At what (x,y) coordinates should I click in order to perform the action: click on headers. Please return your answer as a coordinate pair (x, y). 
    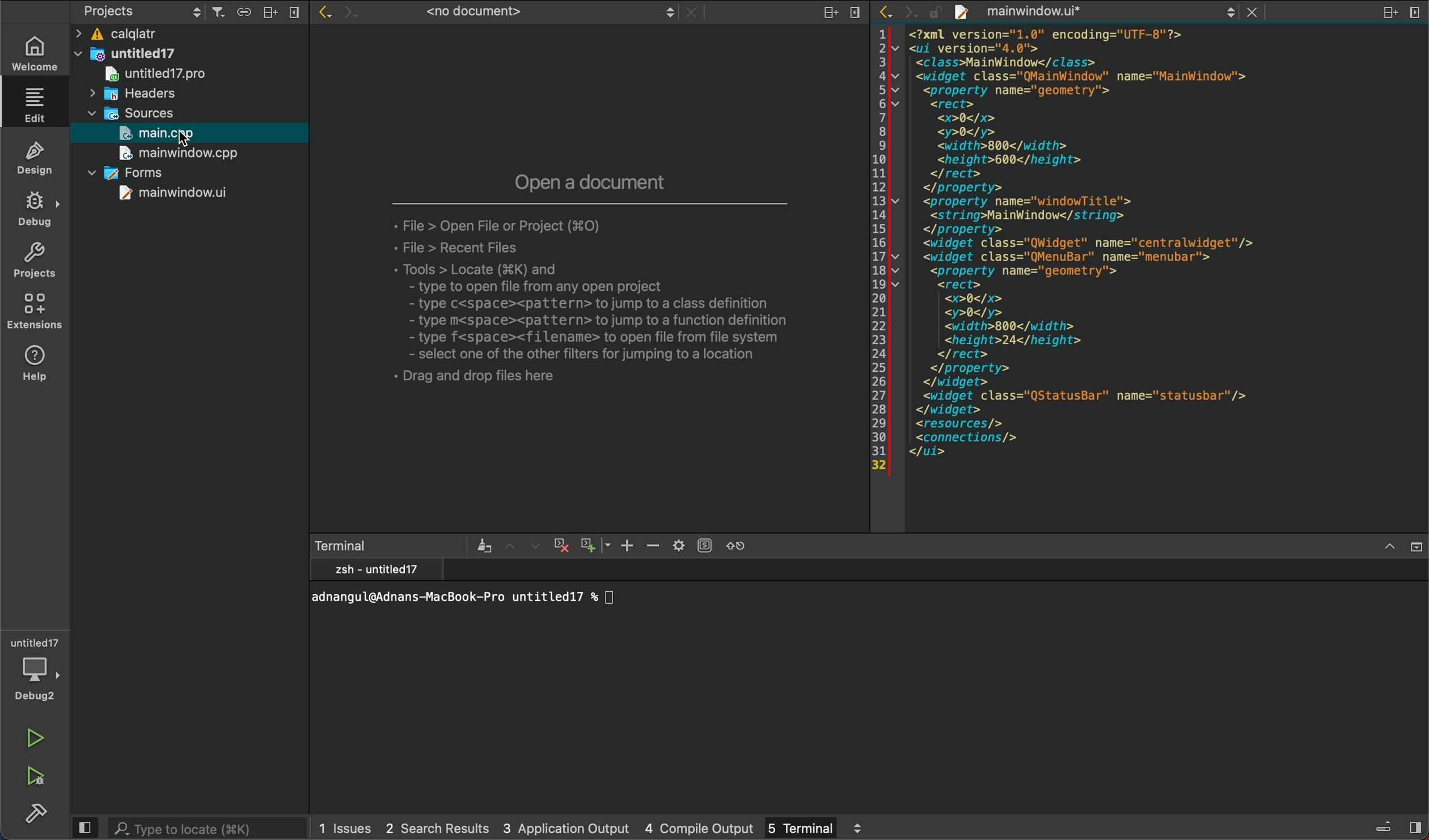
    Looking at the image, I should click on (133, 95).